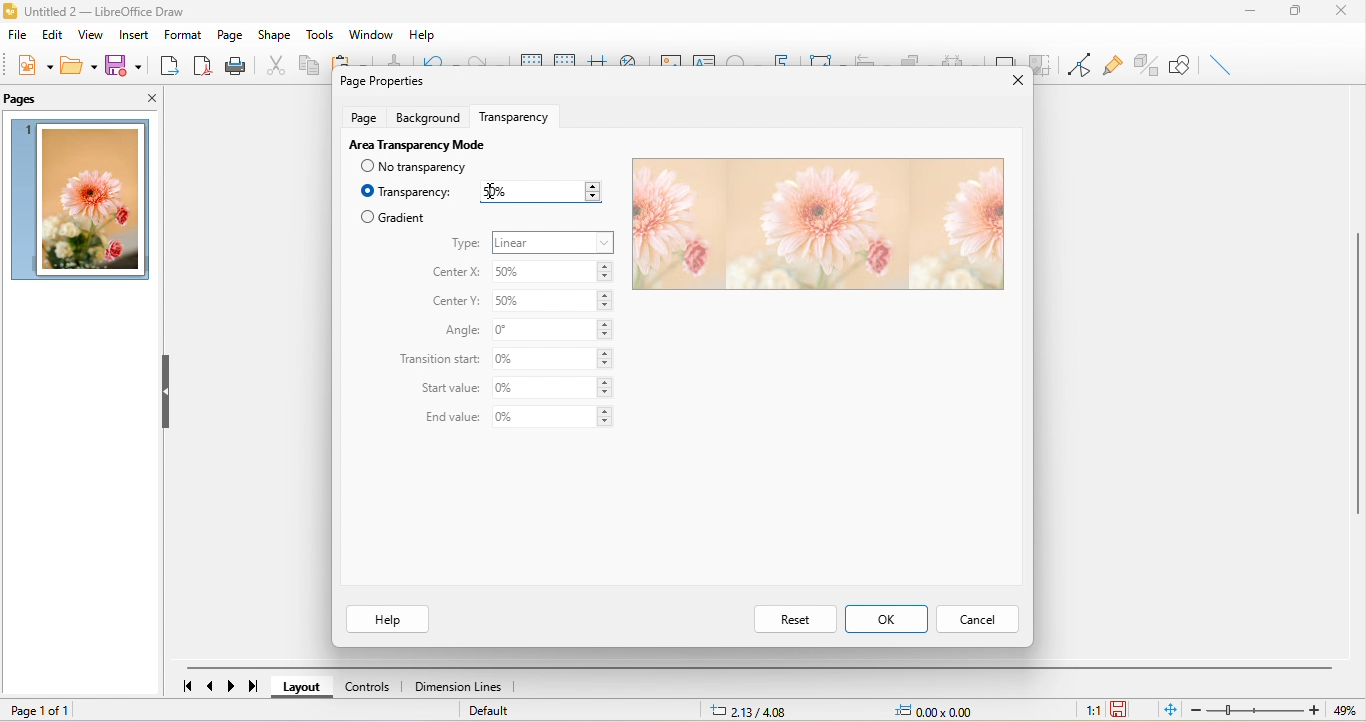  What do you see at coordinates (249, 686) in the screenshot?
I see `last page` at bounding box center [249, 686].